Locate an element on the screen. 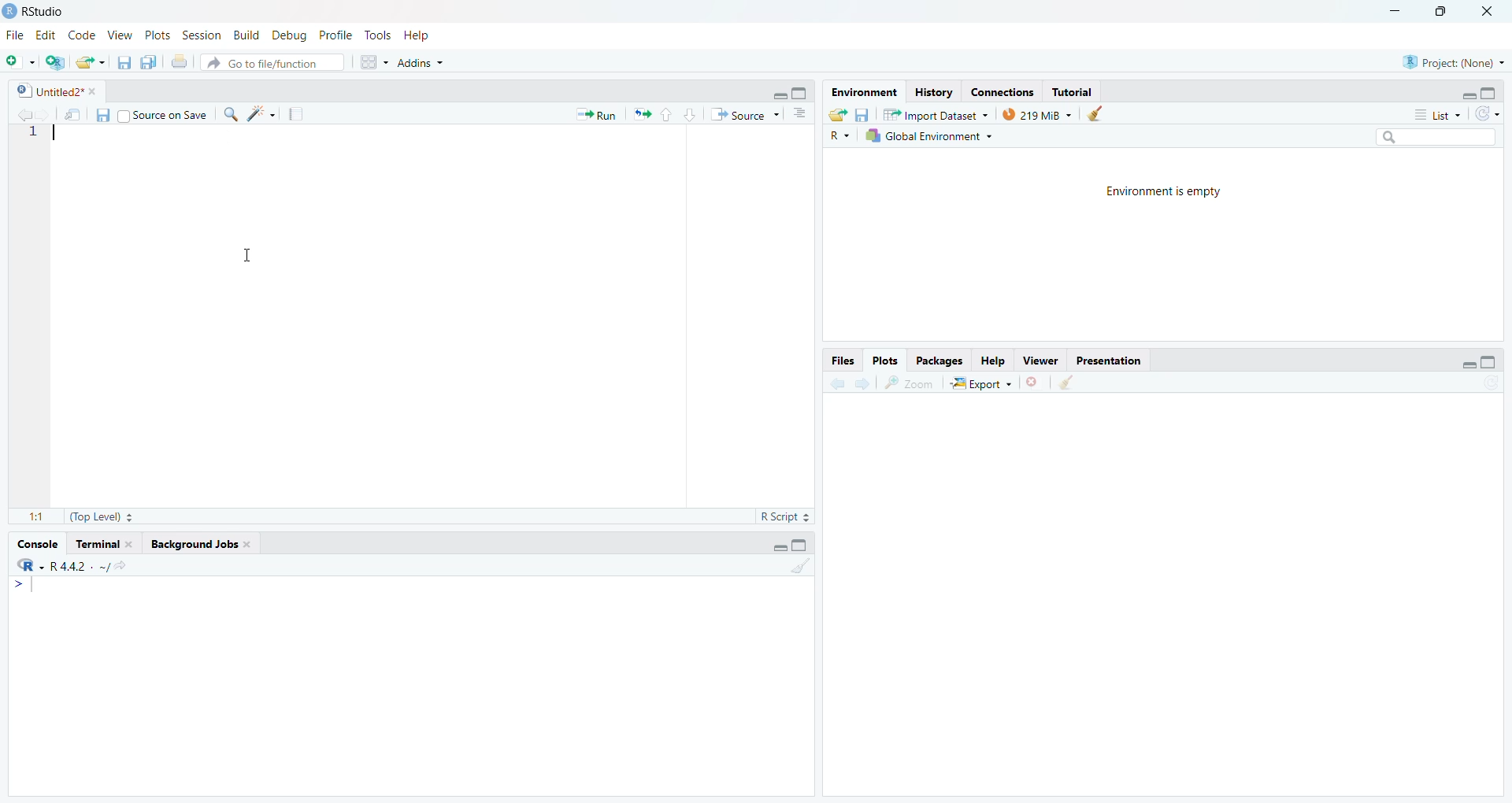  Hide is located at coordinates (1469, 364).